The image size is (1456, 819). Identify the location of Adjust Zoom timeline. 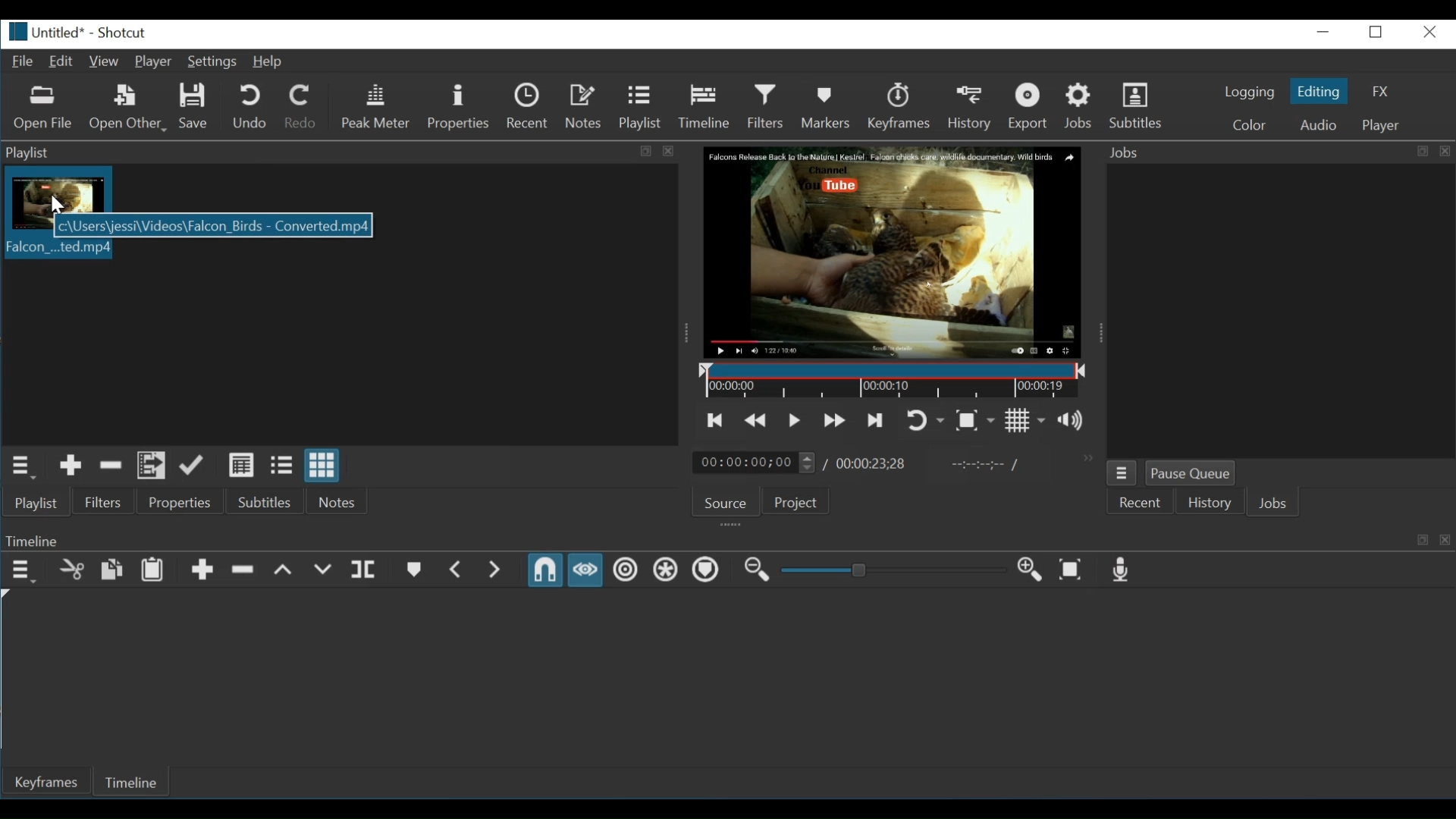
(891, 570).